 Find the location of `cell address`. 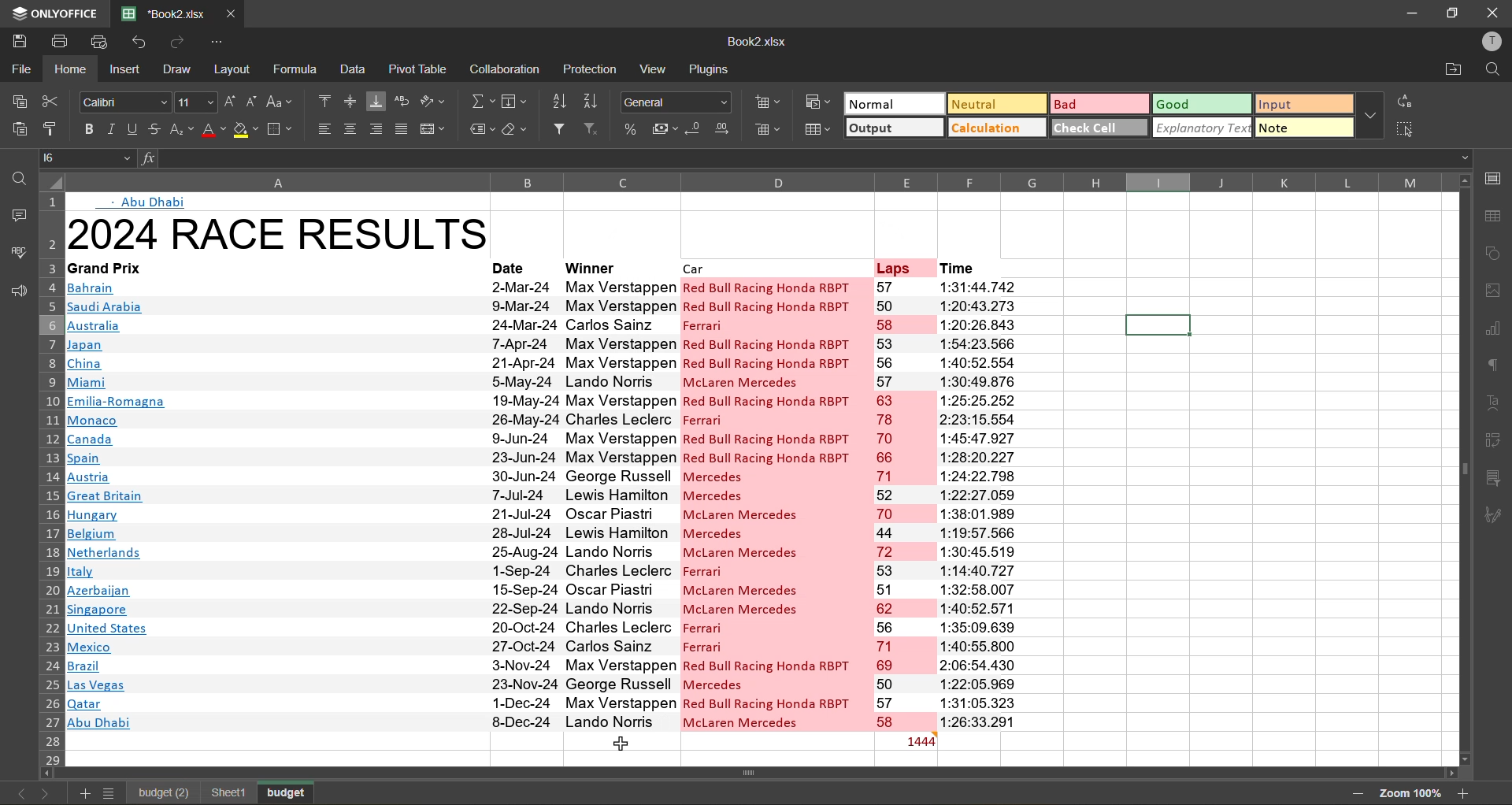

cell address is located at coordinates (90, 157).